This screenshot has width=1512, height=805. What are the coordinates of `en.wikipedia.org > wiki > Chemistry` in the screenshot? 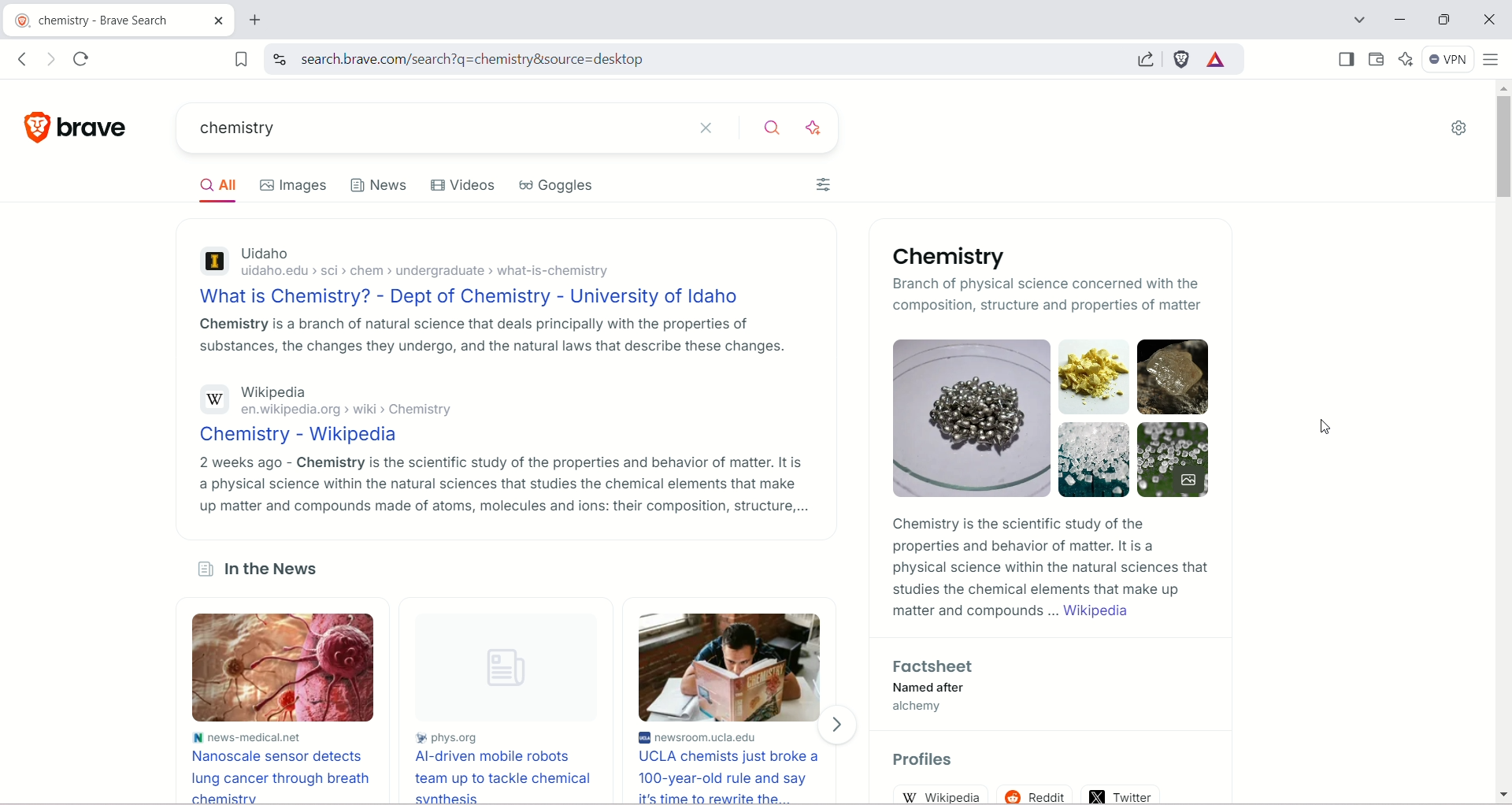 It's located at (351, 410).